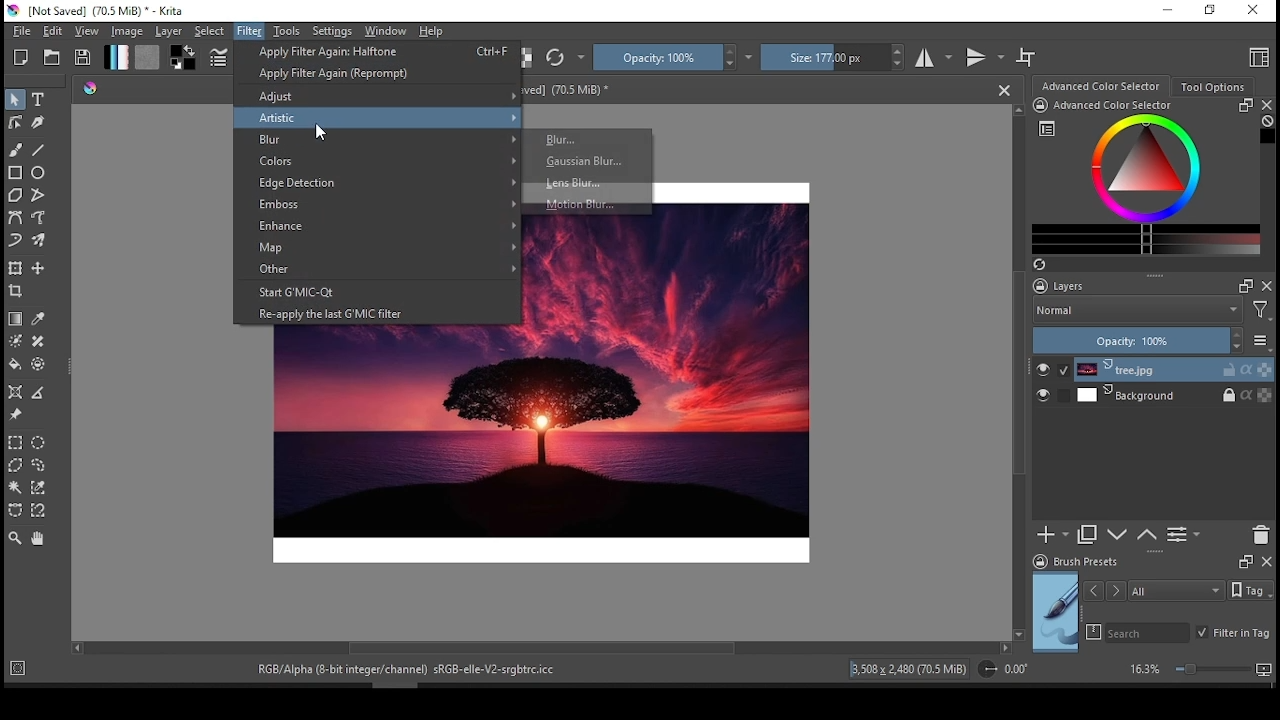 The image size is (1280, 720). Describe the element at coordinates (378, 247) in the screenshot. I see `map` at that location.